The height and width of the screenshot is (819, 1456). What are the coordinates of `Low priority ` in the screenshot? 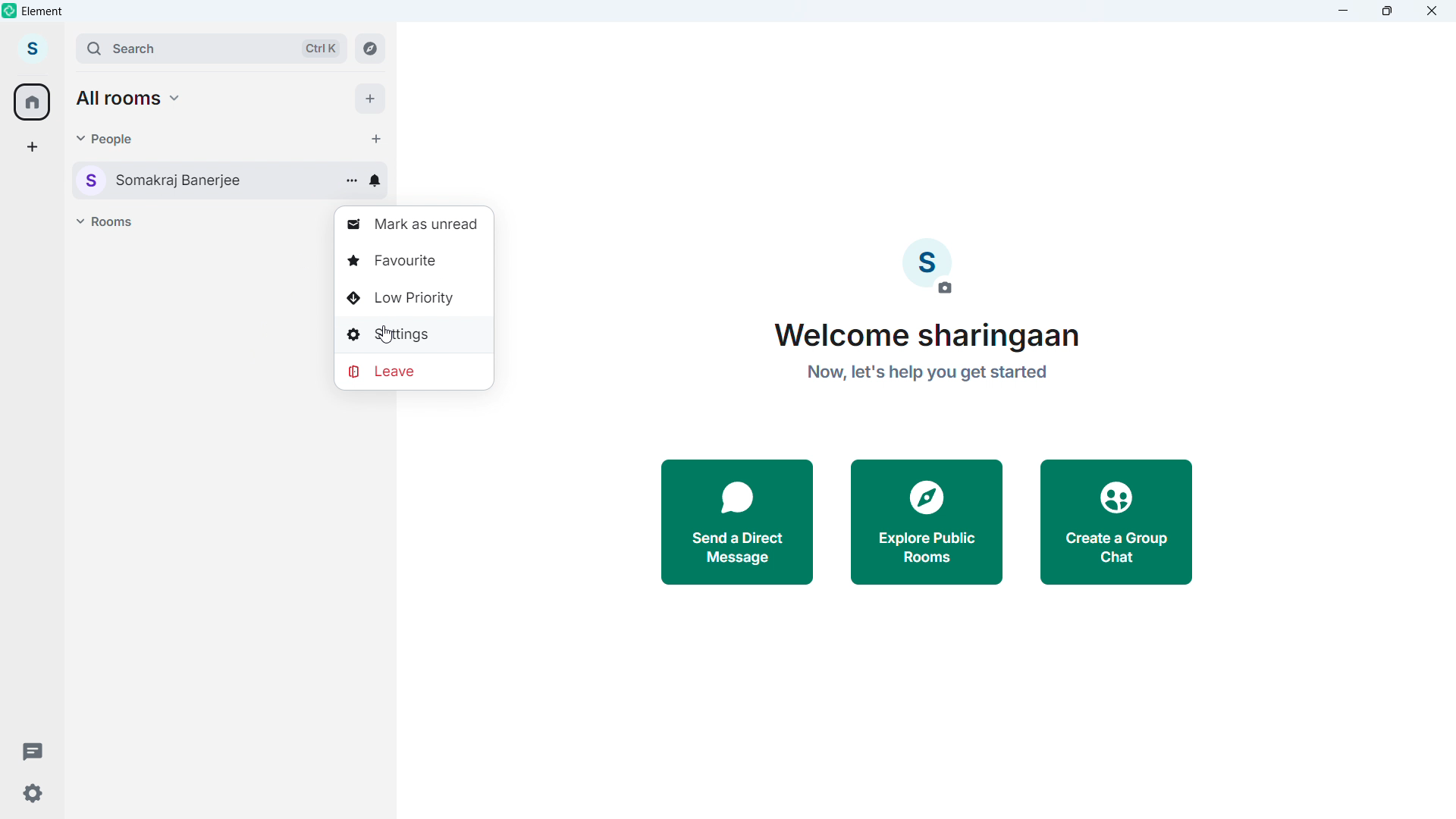 It's located at (413, 297).